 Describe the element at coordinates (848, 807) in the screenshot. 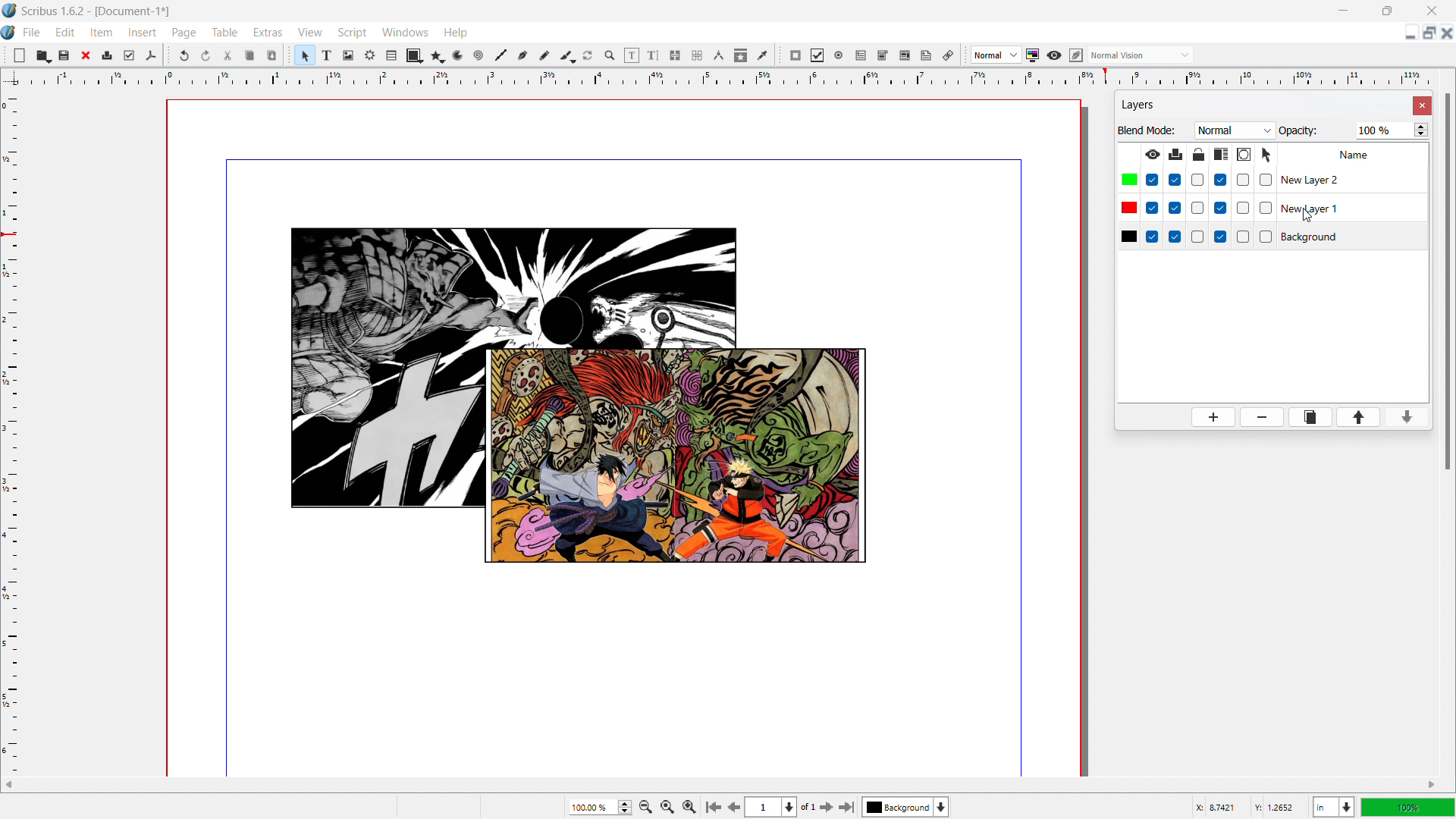

I see `go to last page` at that location.